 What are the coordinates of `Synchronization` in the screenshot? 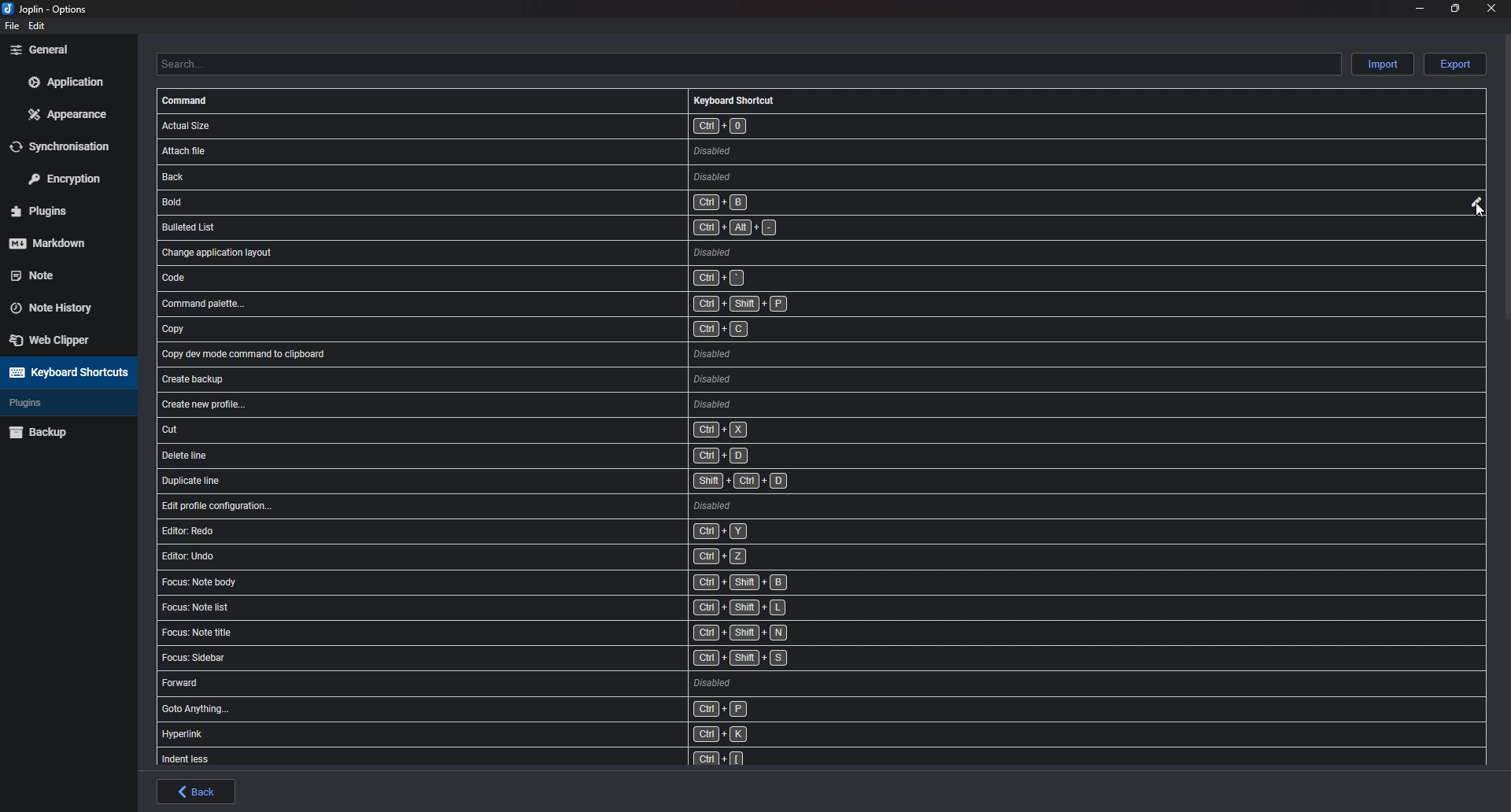 It's located at (70, 146).